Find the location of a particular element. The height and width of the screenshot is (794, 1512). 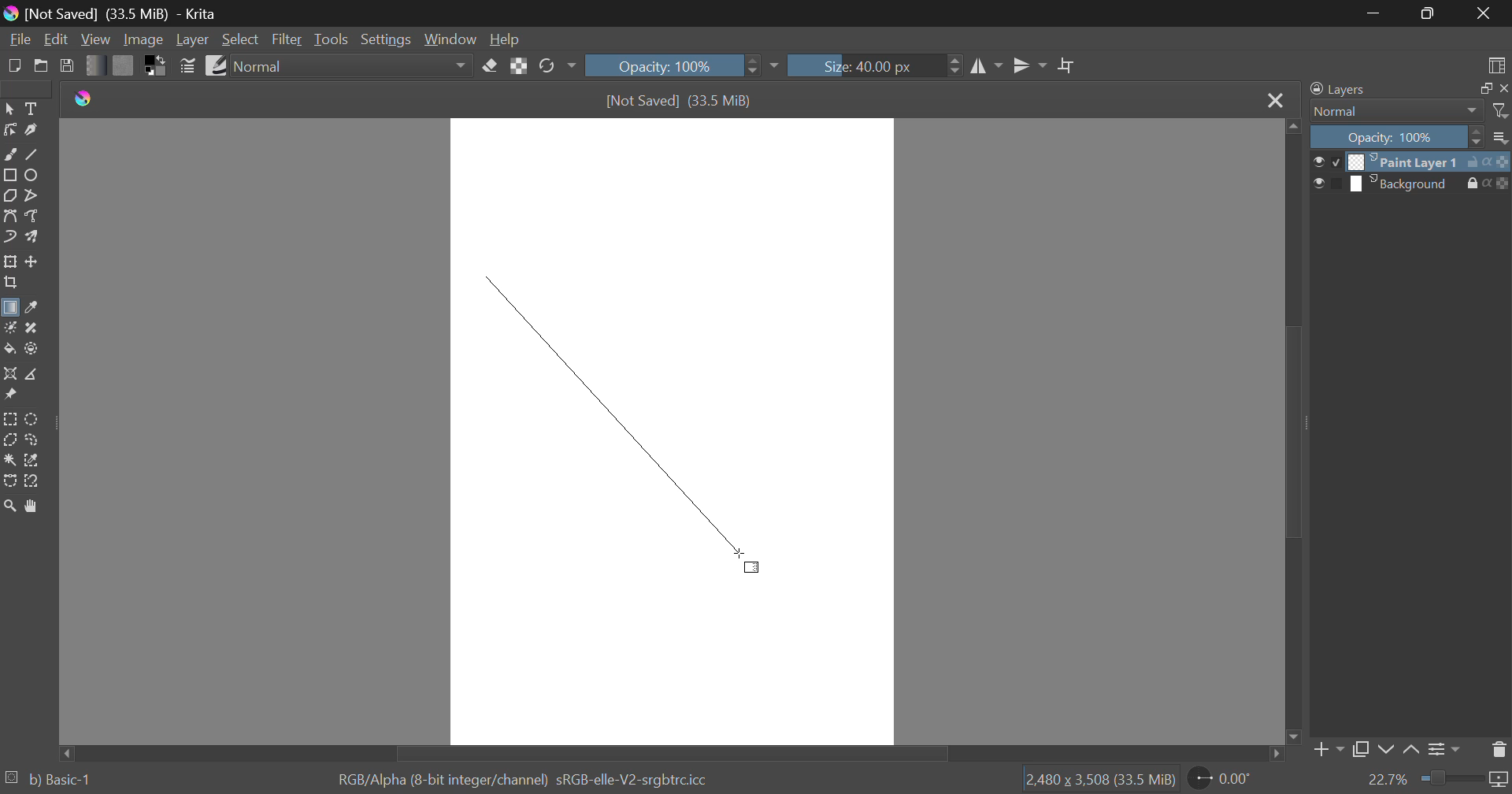

12,480 x 3,508 (33.5 MiB) is located at coordinates (1099, 779).